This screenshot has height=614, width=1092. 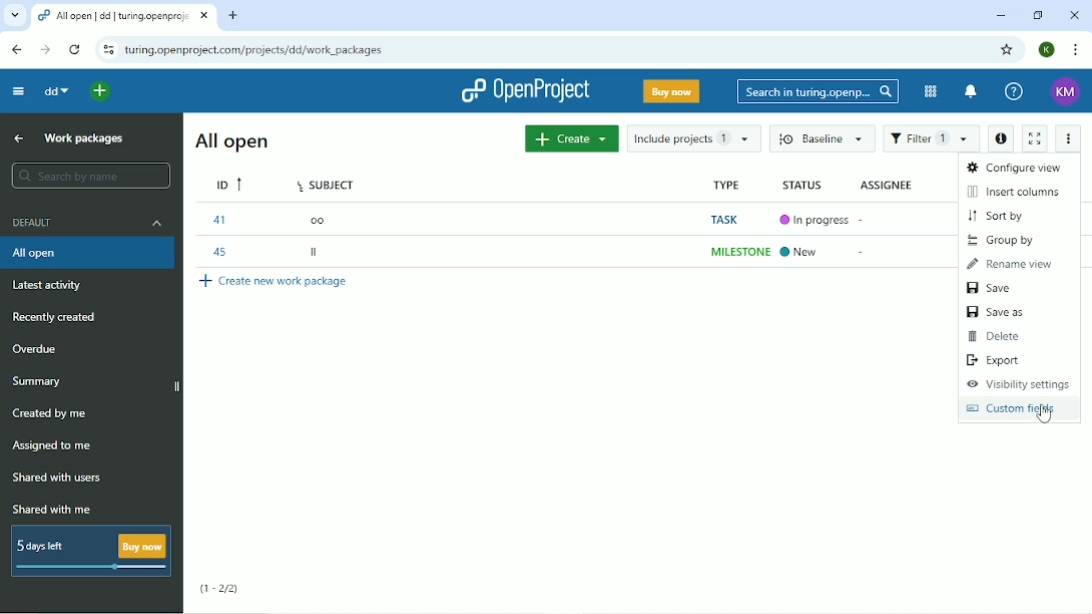 I want to click on Recently created, so click(x=53, y=318).